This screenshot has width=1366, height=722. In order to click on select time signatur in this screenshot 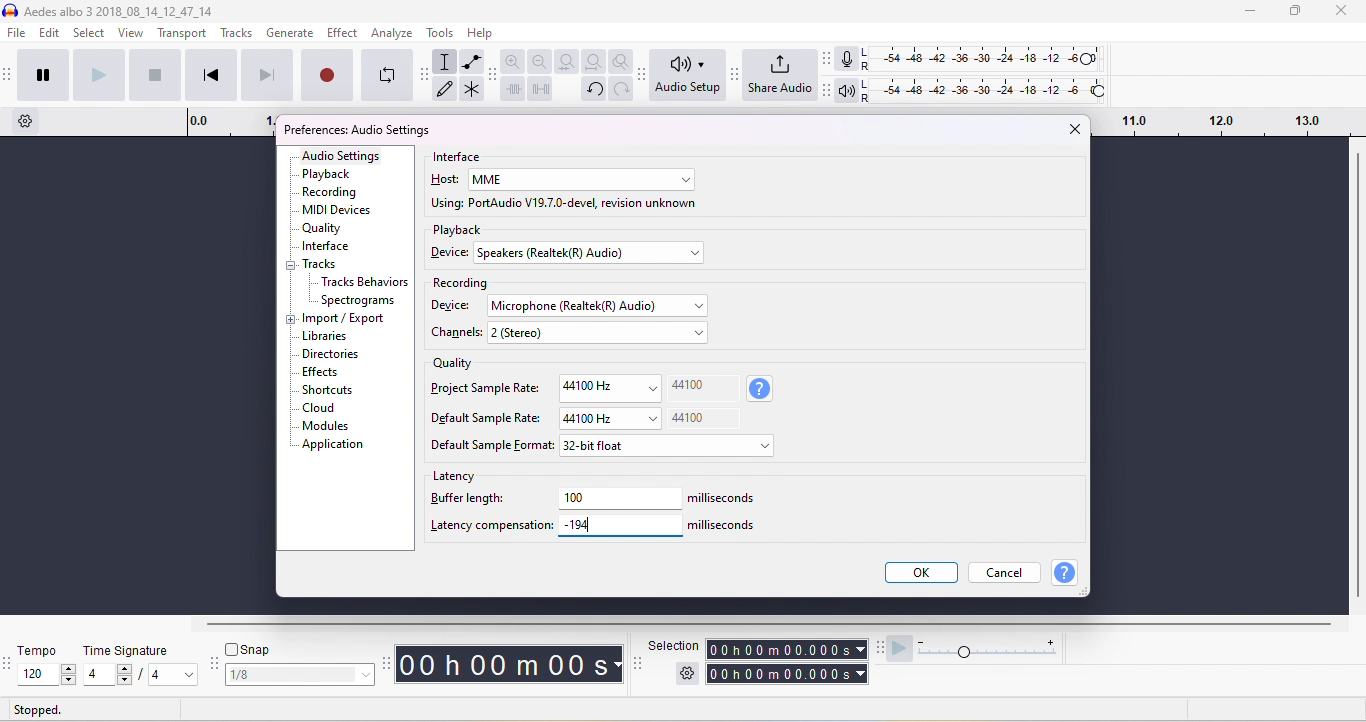, I will do `click(143, 676)`.